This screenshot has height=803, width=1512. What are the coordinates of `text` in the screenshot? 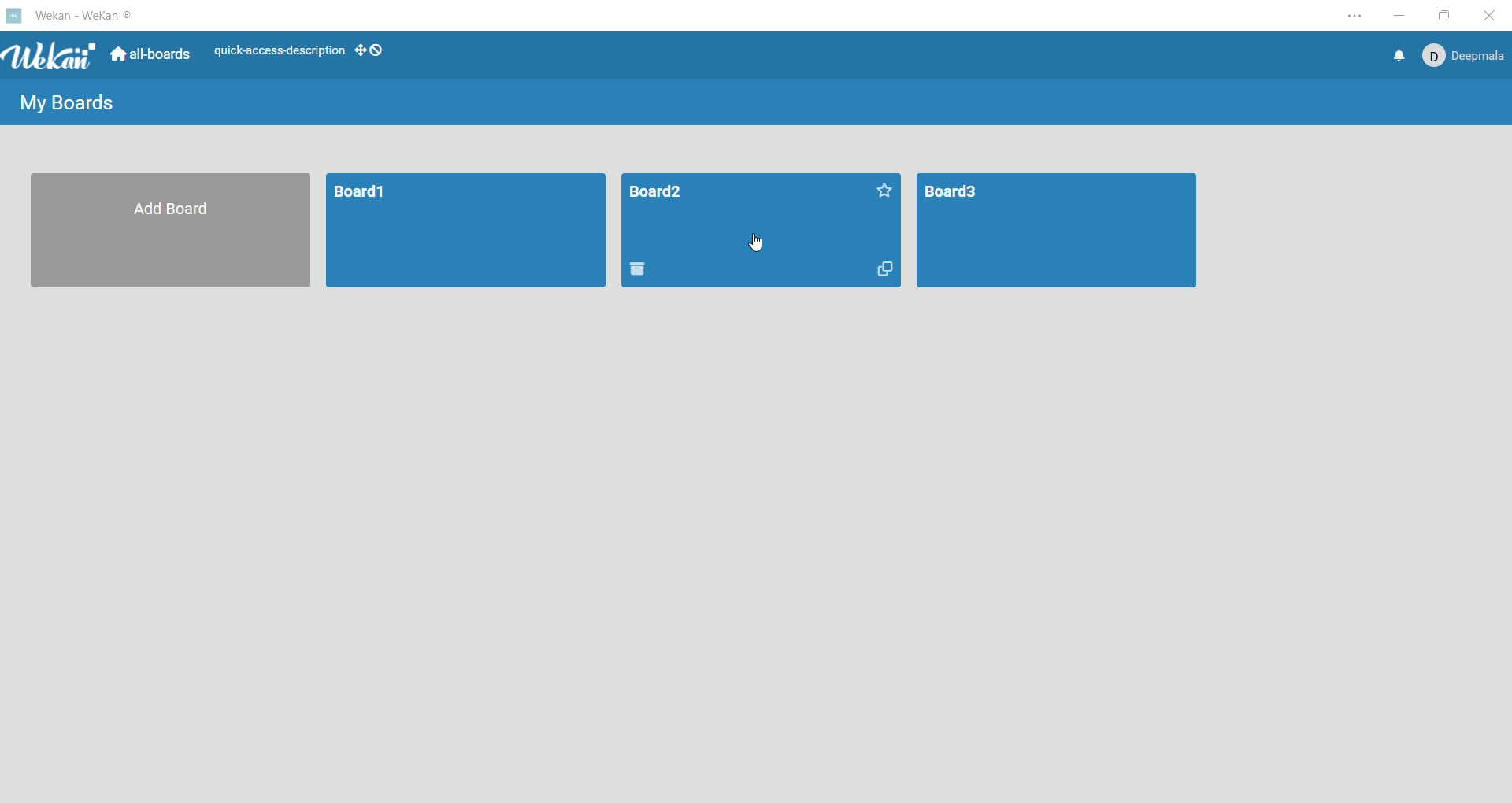 It's located at (281, 52).